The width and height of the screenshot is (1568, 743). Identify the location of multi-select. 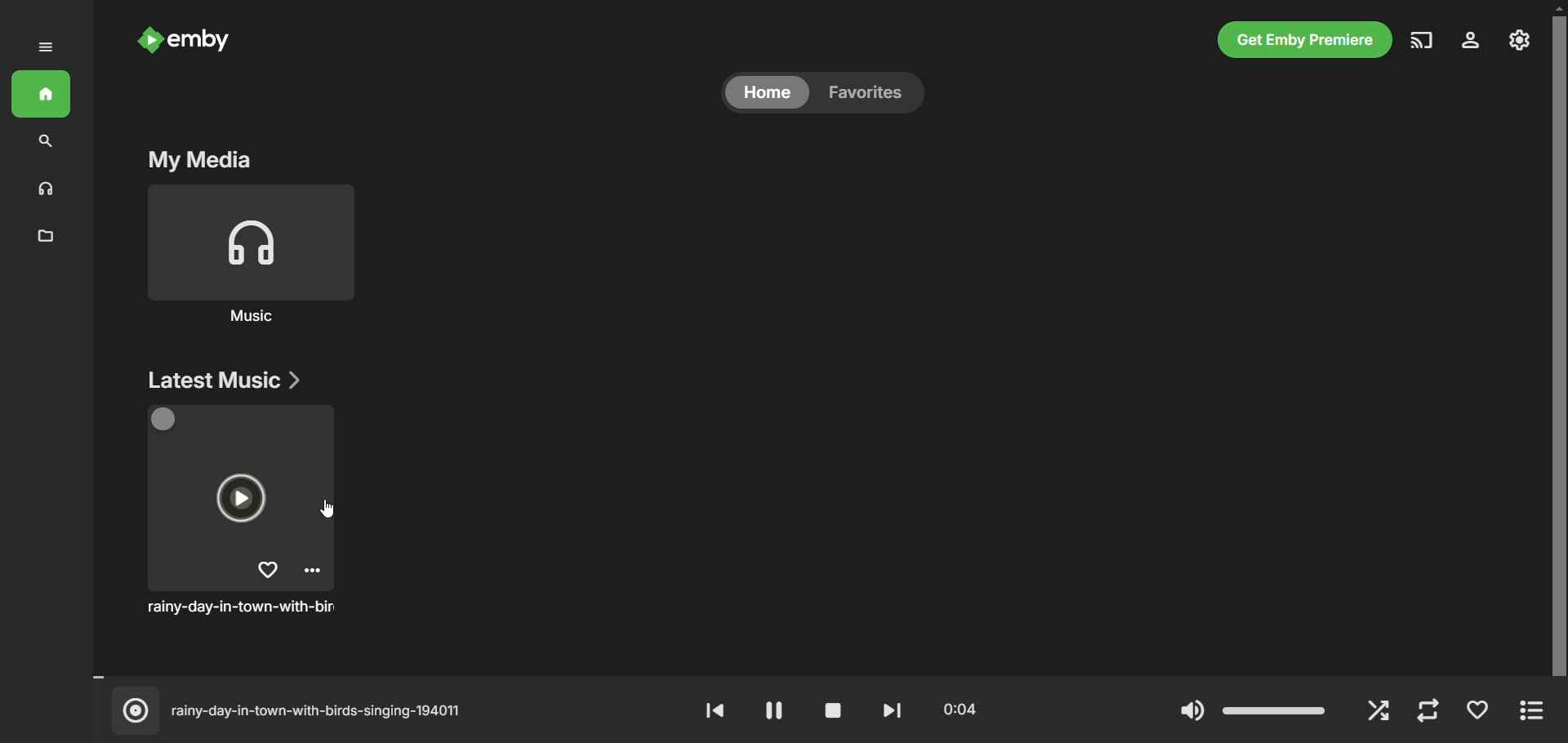
(168, 421).